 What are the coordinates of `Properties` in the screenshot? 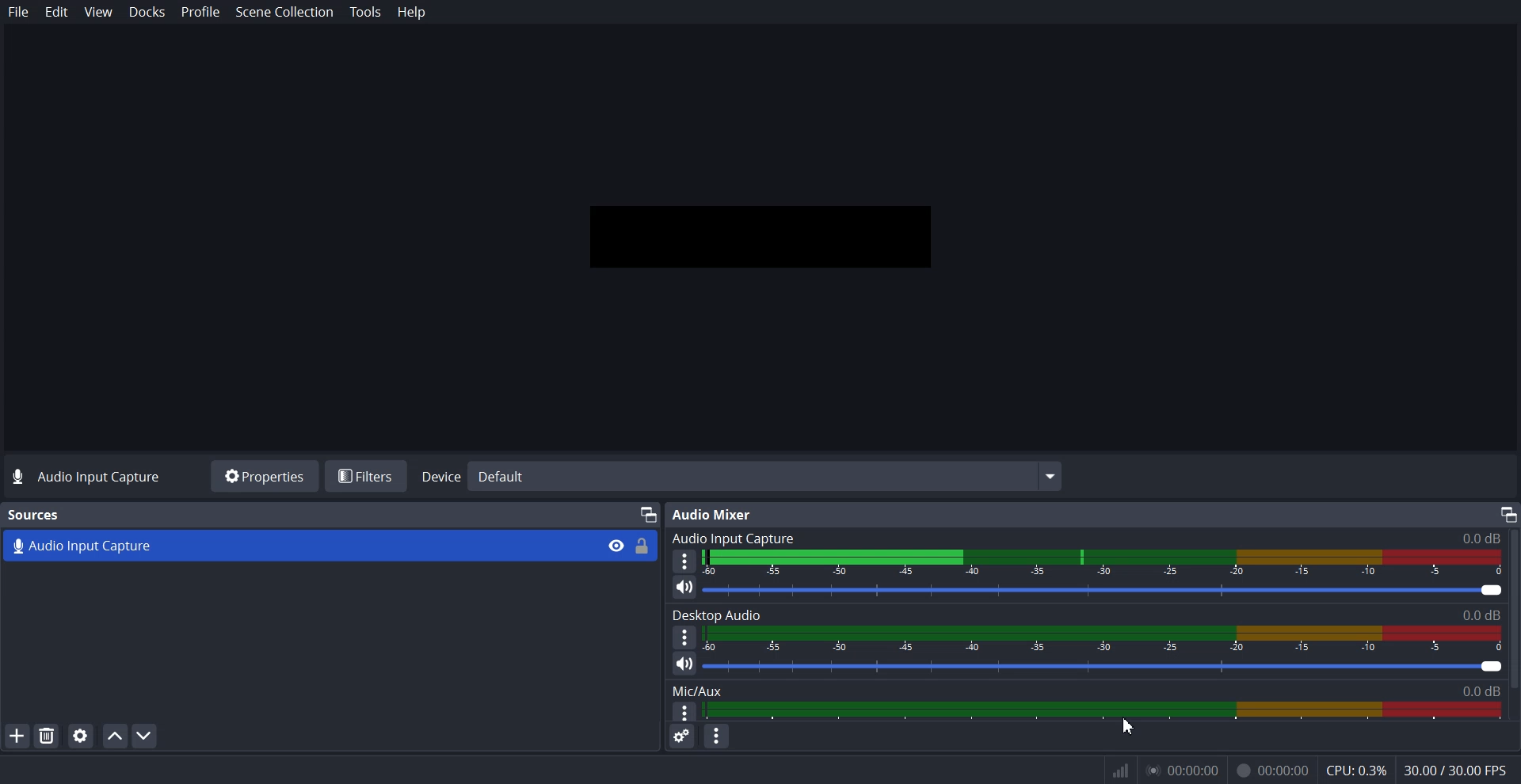 It's located at (263, 476).